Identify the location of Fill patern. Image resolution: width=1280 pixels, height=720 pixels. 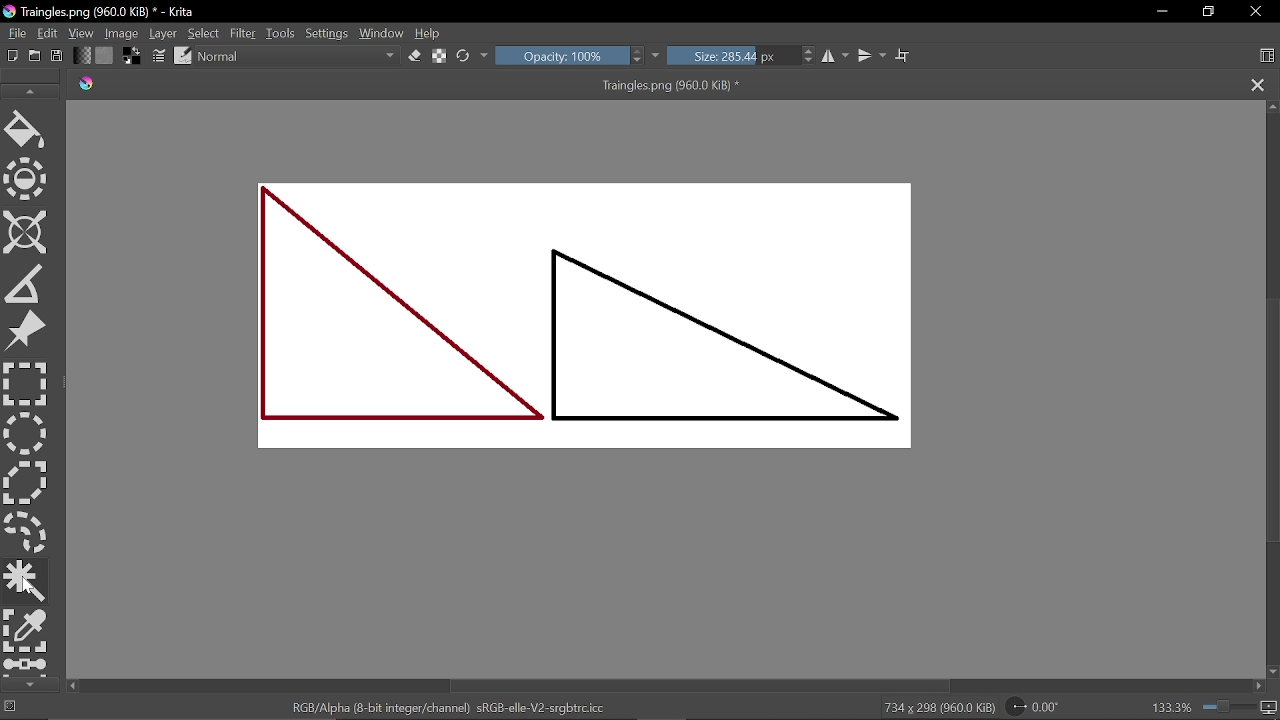
(105, 56).